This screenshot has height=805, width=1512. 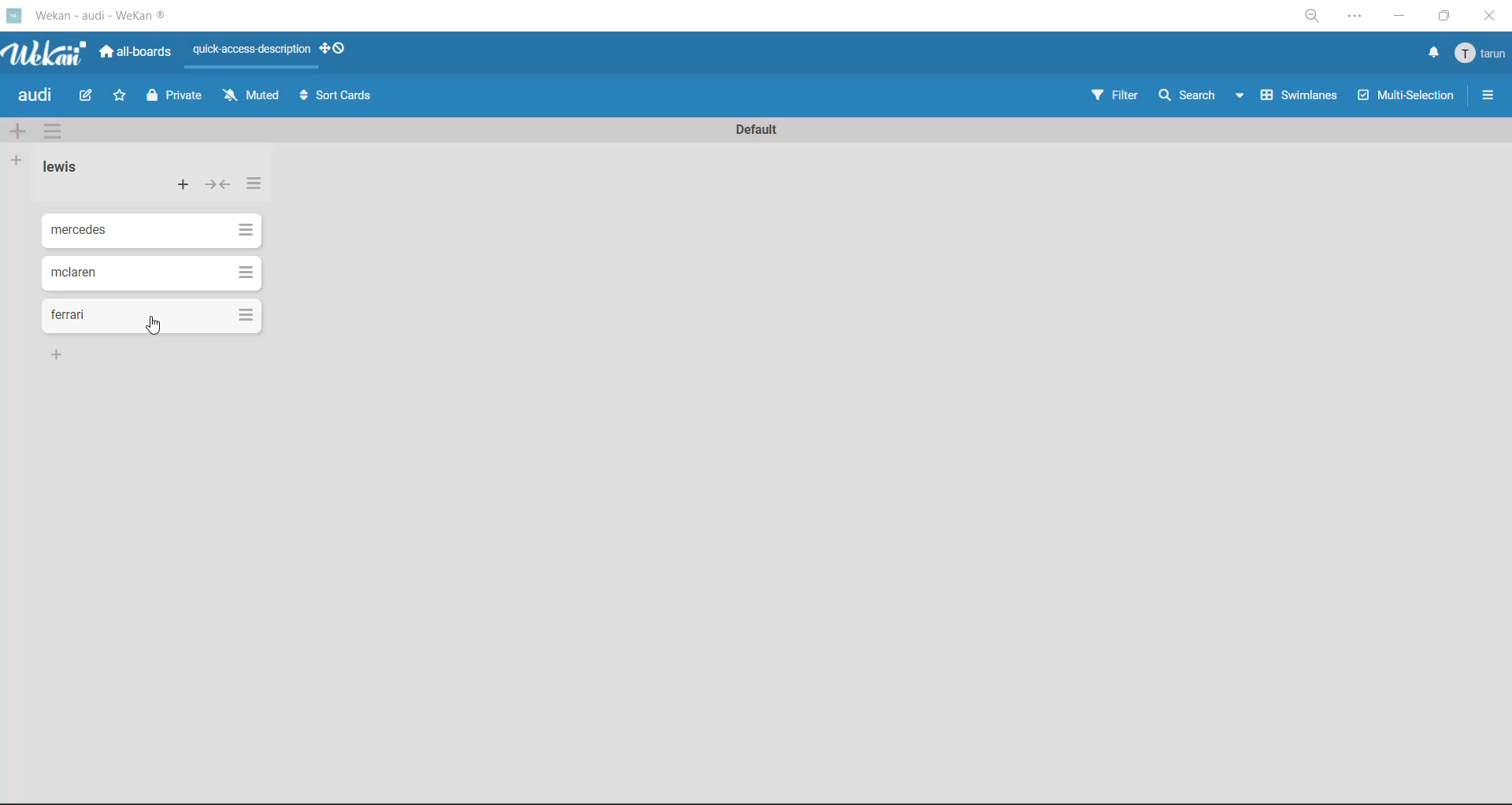 I want to click on multiselection, so click(x=1407, y=98).